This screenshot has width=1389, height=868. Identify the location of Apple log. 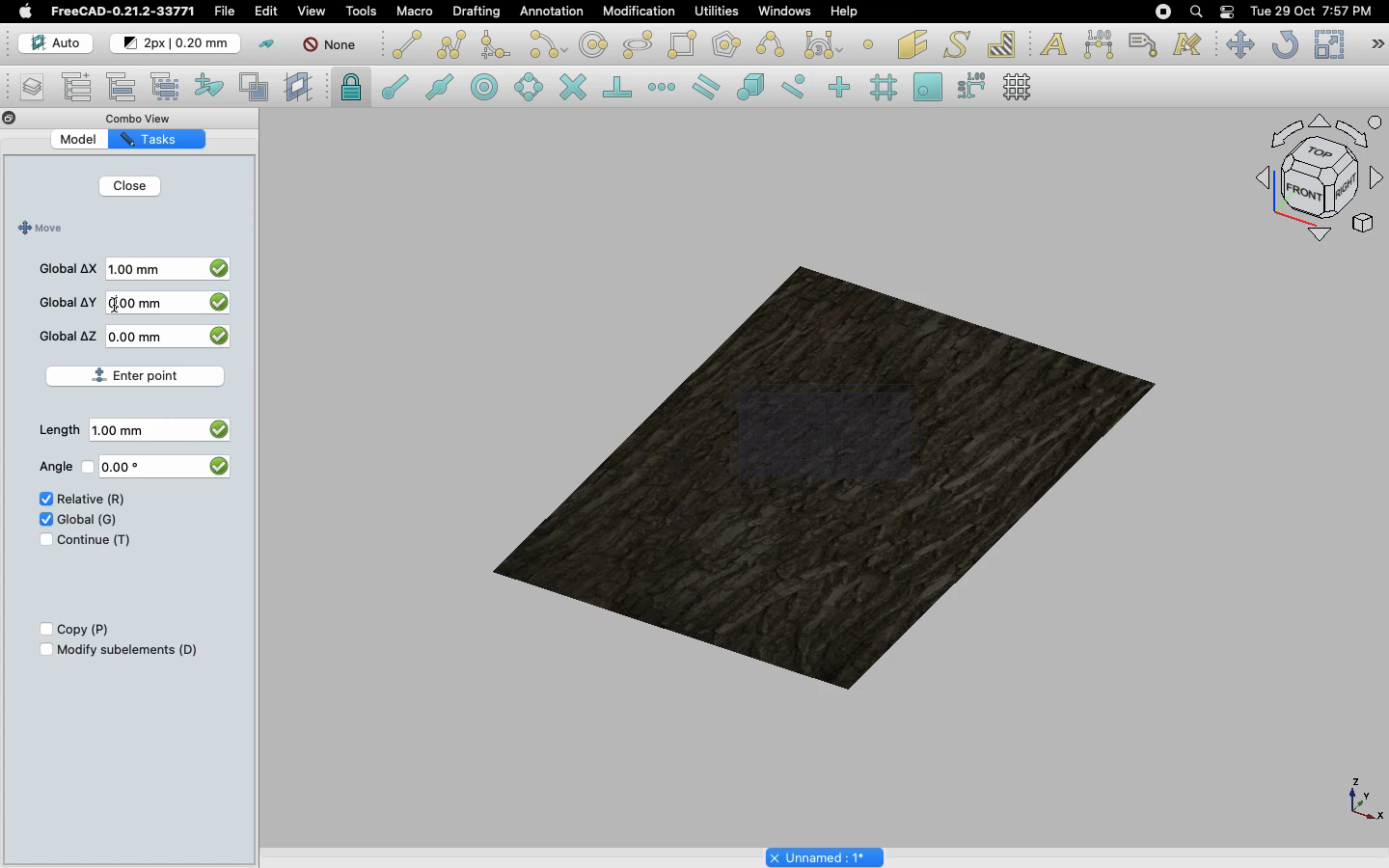
(26, 11).